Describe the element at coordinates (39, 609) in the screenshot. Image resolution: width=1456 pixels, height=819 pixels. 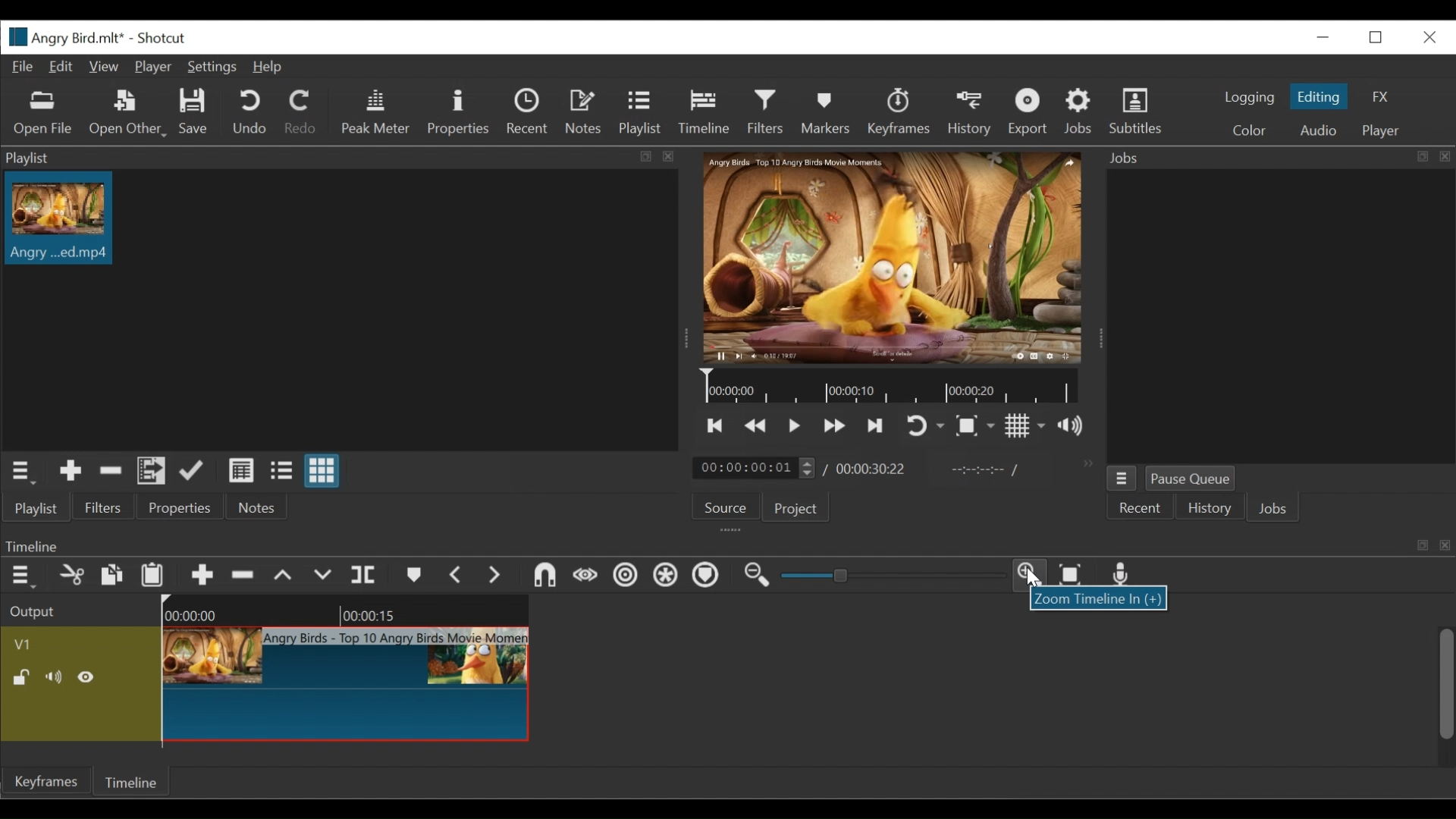
I see `Output` at that location.